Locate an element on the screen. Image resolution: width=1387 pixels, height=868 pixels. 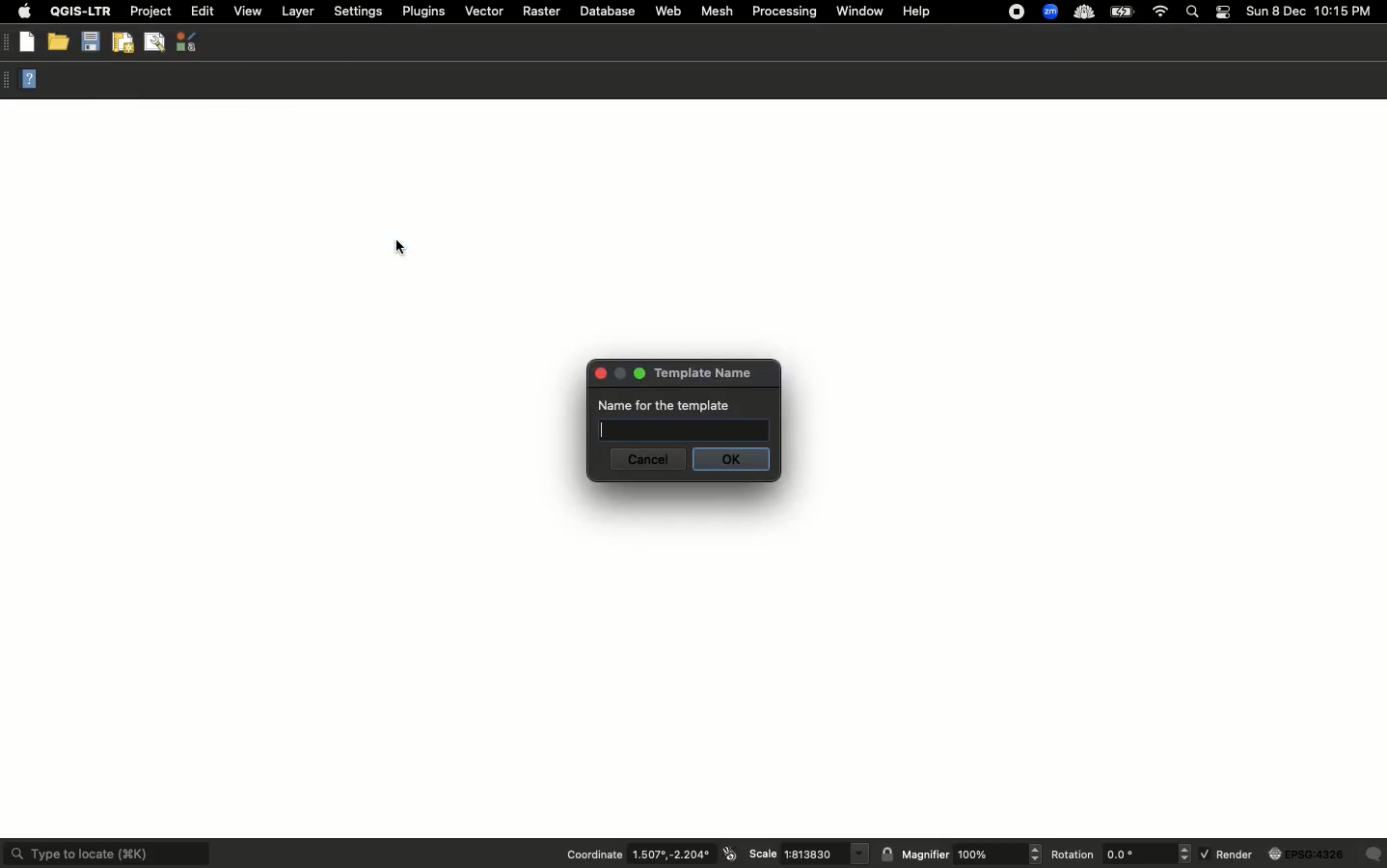
Name is located at coordinates (676, 407).